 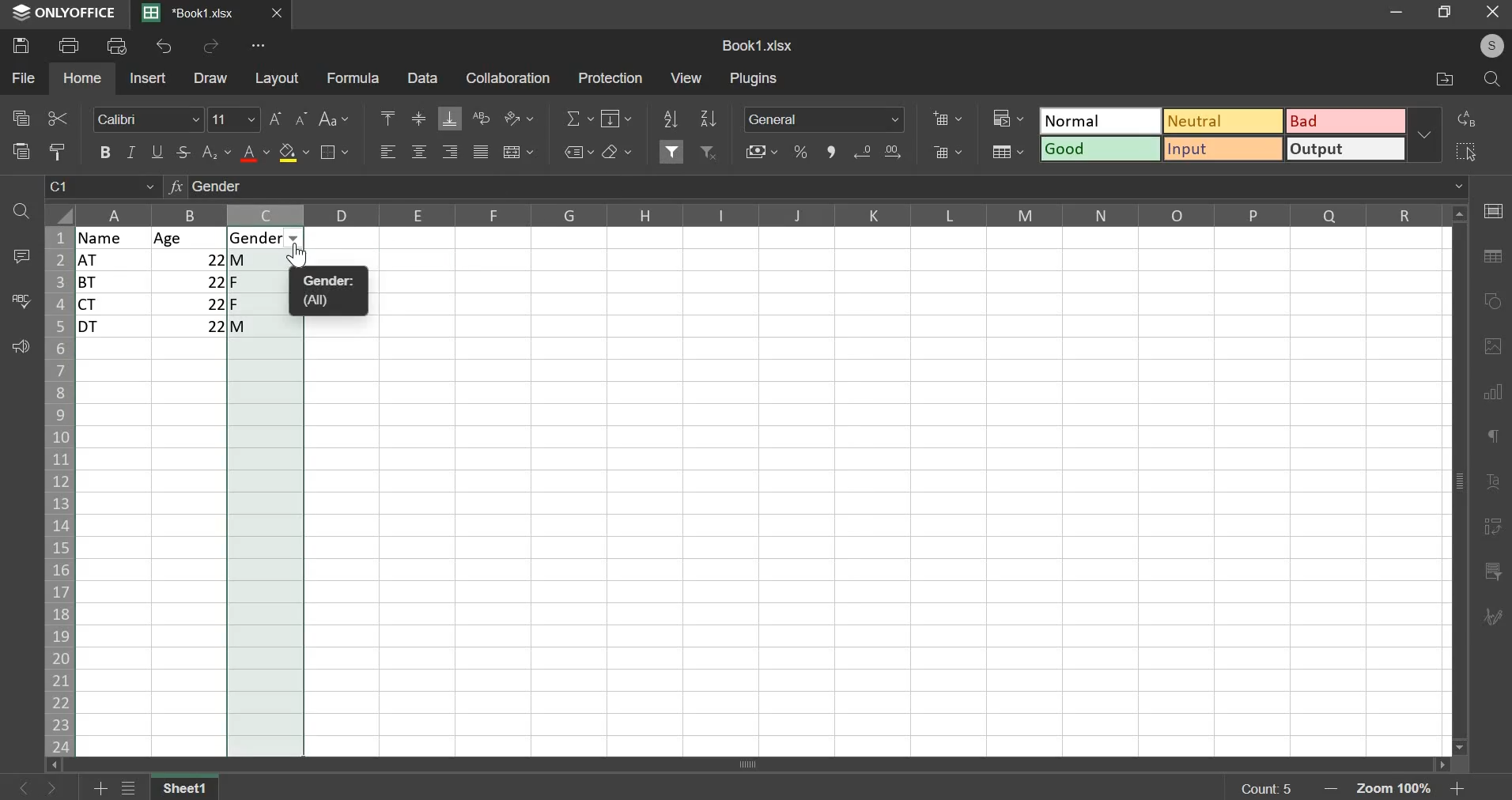 I want to click on cut, so click(x=58, y=119).